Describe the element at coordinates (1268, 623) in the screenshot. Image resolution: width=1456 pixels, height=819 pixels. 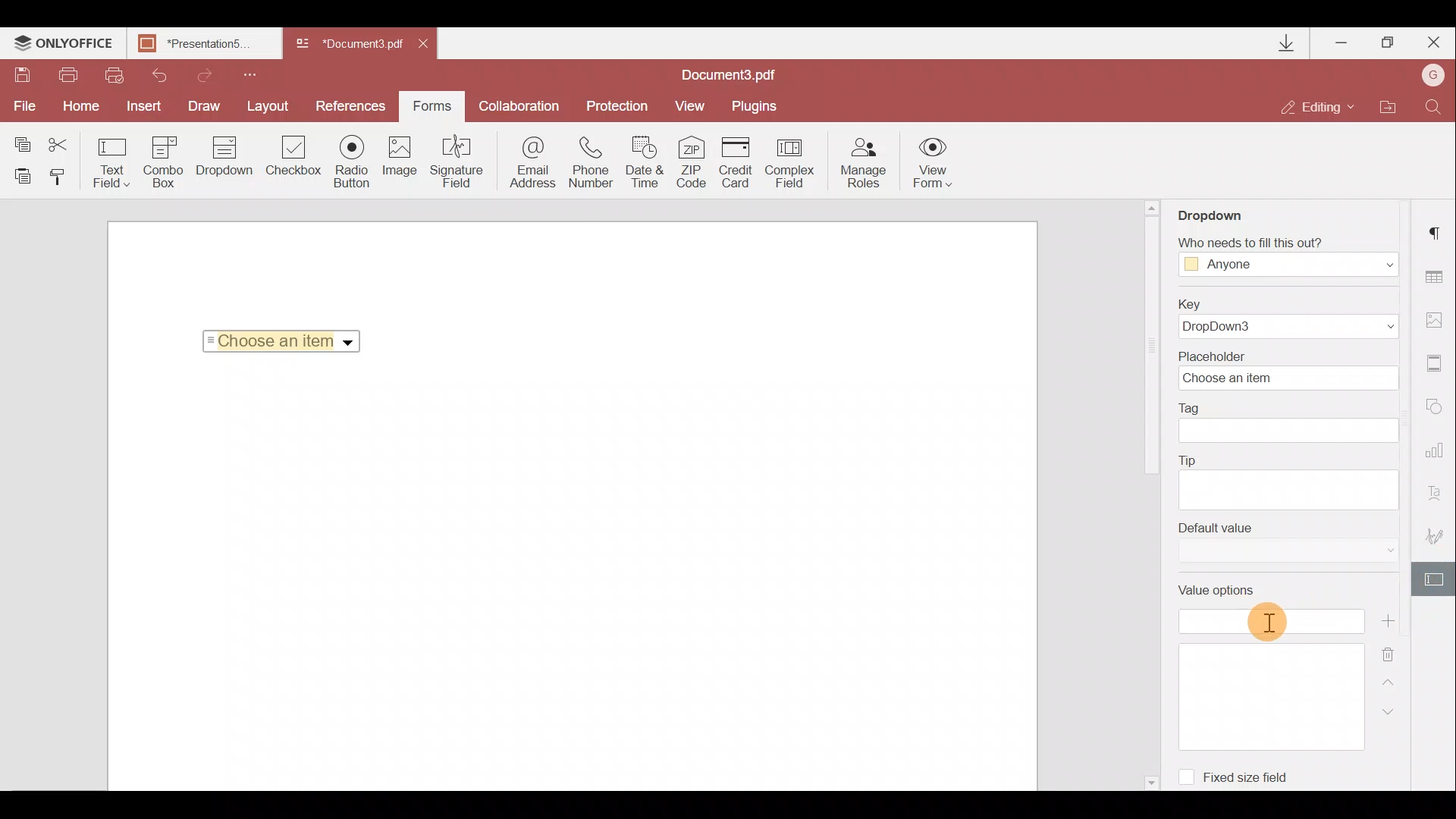
I see `Pointer` at that location.